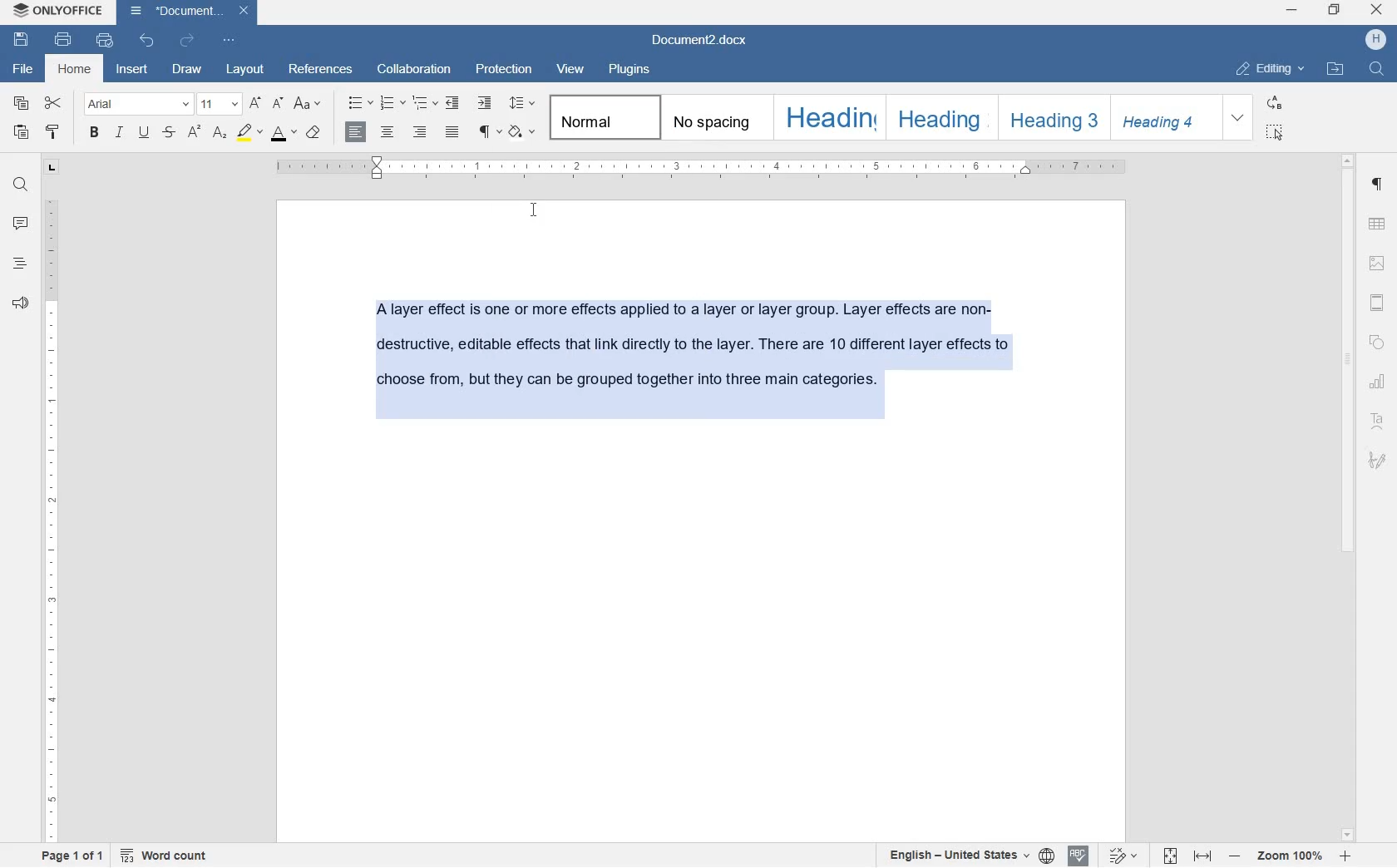 The height and width of the screenshot is (868, 1397). What do you see at coordinates (20, 184) in the screenshot?
I see `find` at bounding box center [20, 184].